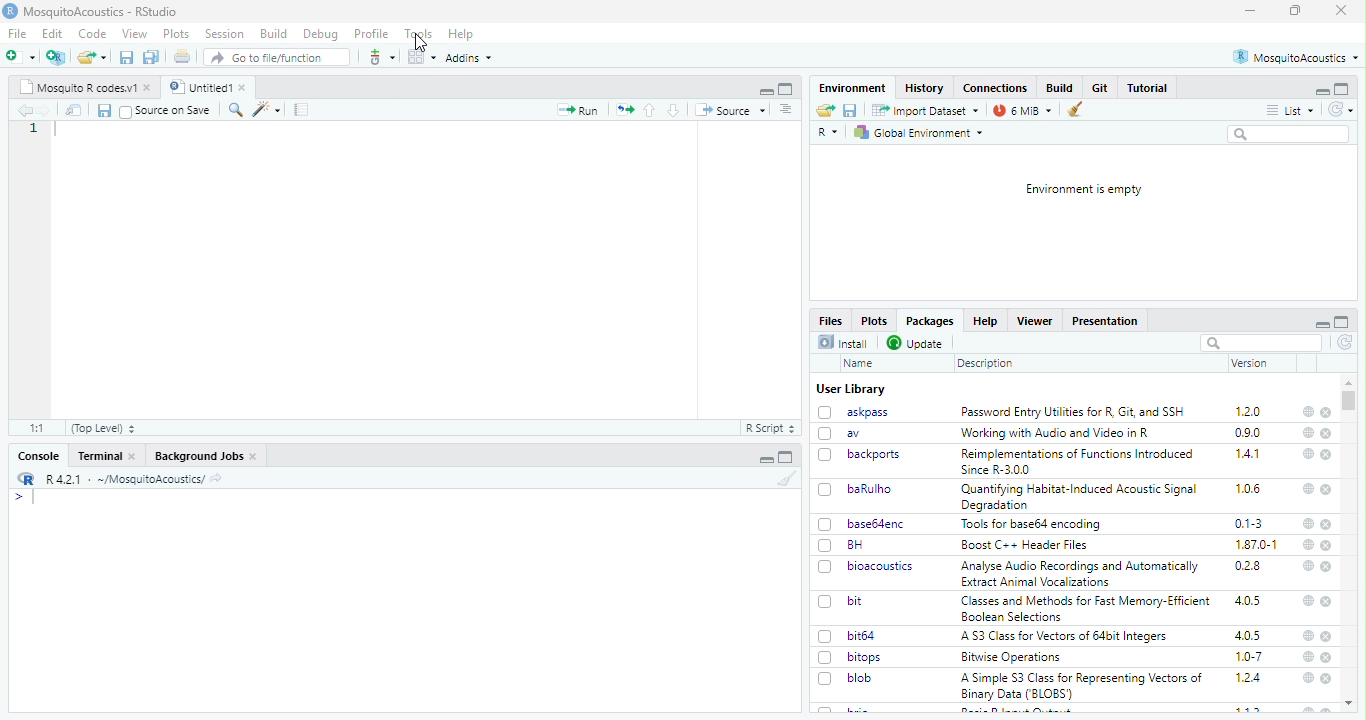 The height and width of the screenshot is (720, 1366). What do you see at coordinates (1310, 544) in the screenshot?
I see `web` at bounding box center [1310, 544].